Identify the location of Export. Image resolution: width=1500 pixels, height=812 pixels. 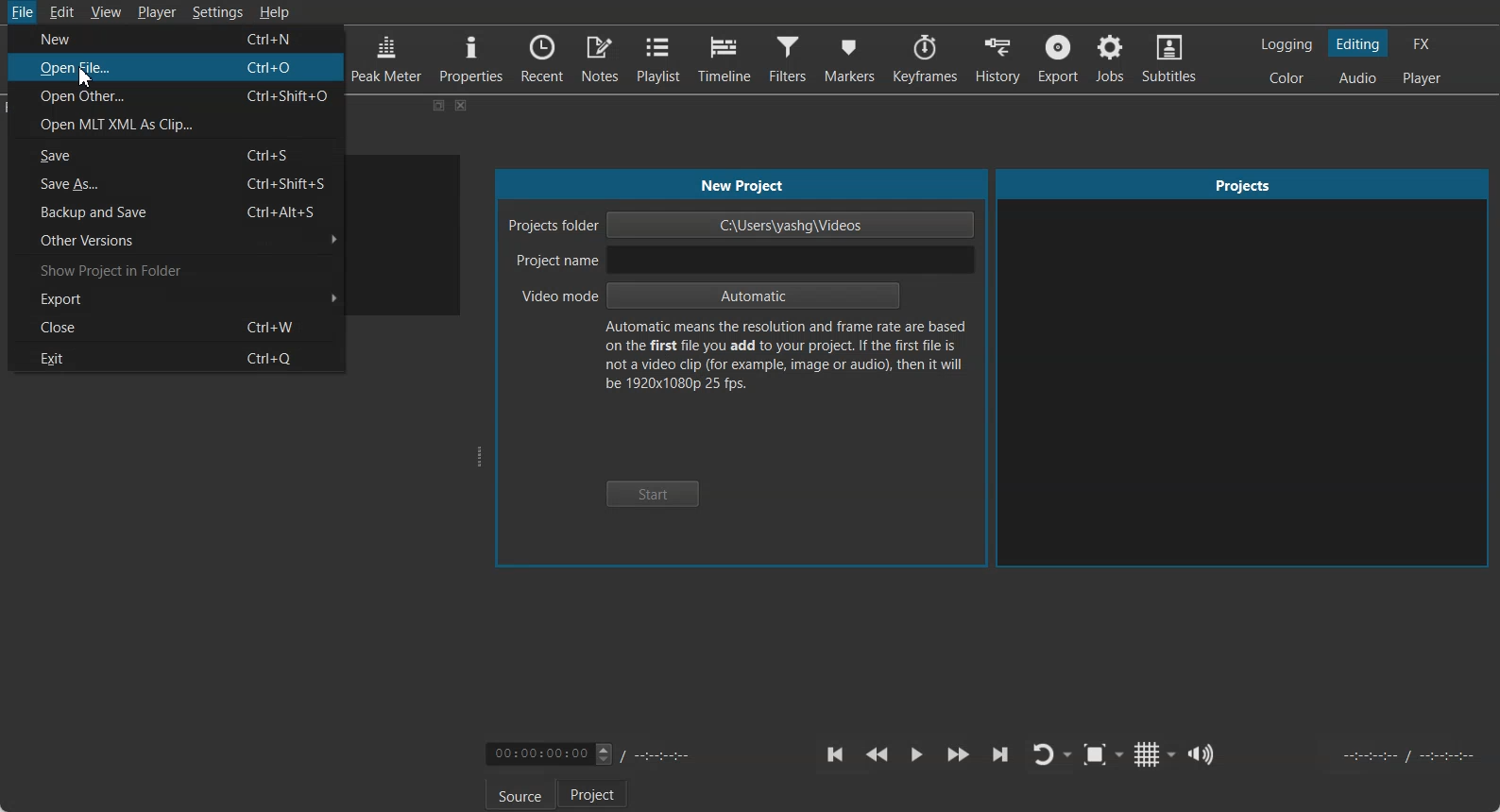
(1061, 59).